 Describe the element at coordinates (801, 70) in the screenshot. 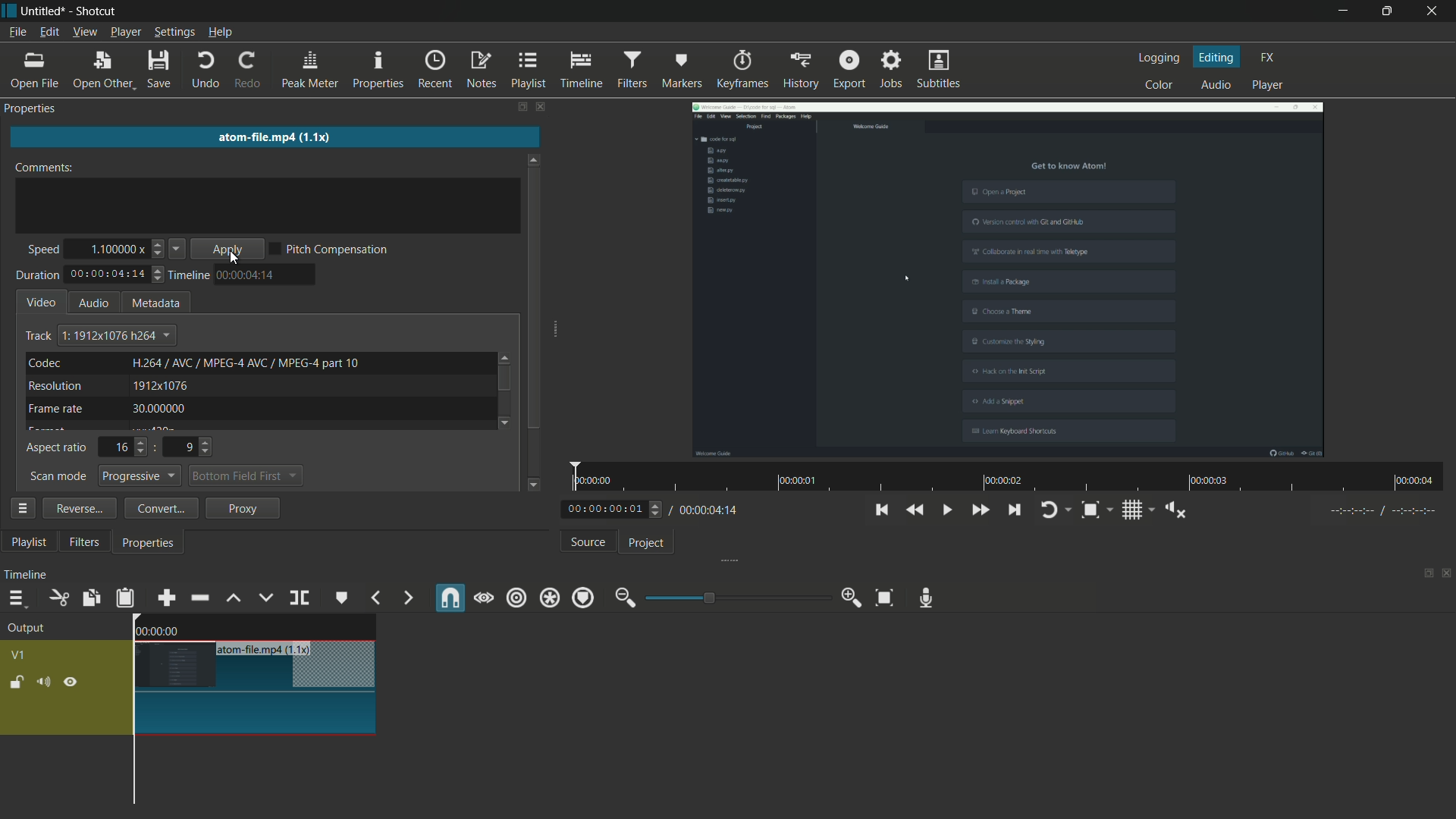

I see `history` at that location.